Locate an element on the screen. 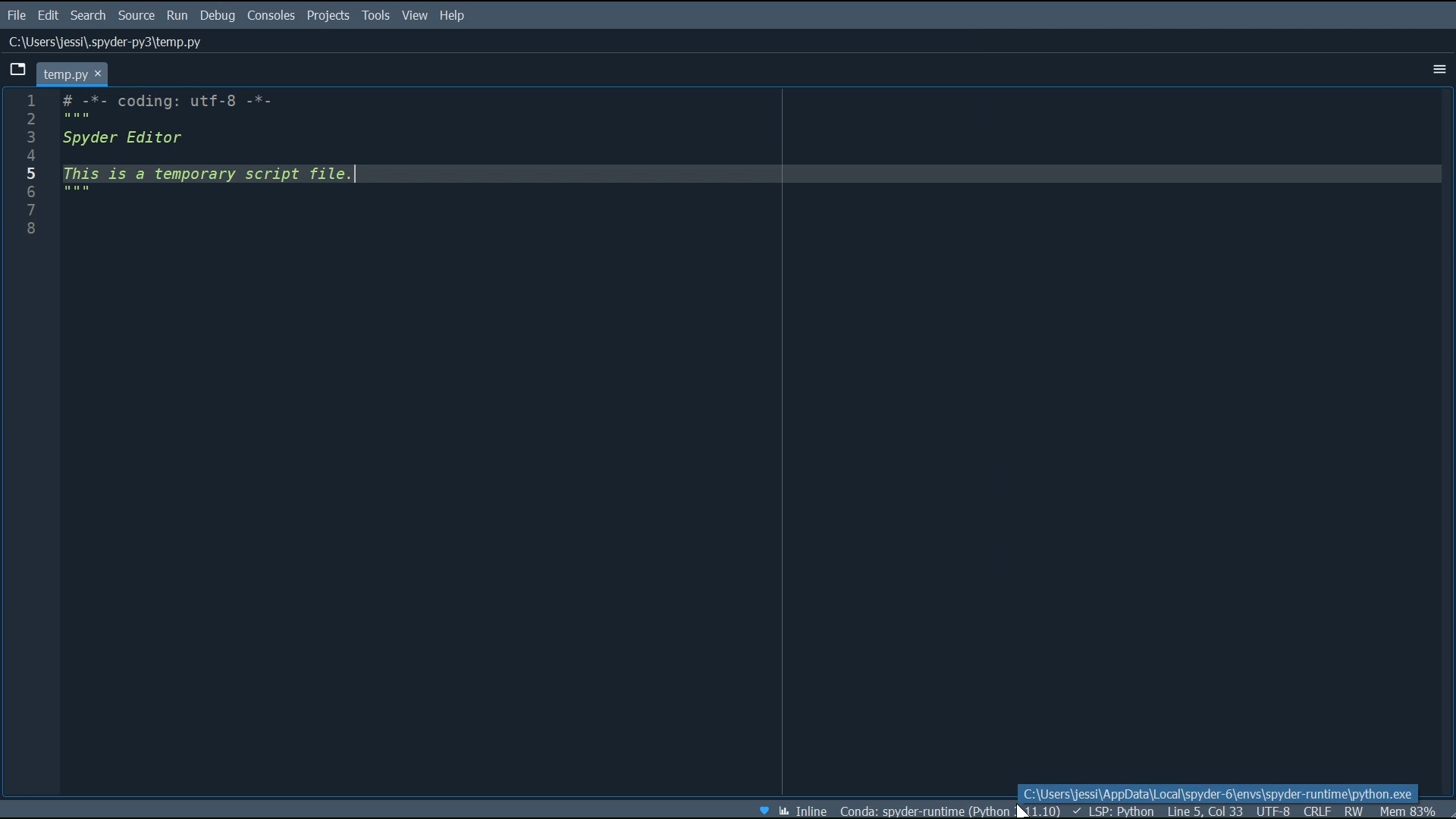  Edit is located at coordinates (49, 15).